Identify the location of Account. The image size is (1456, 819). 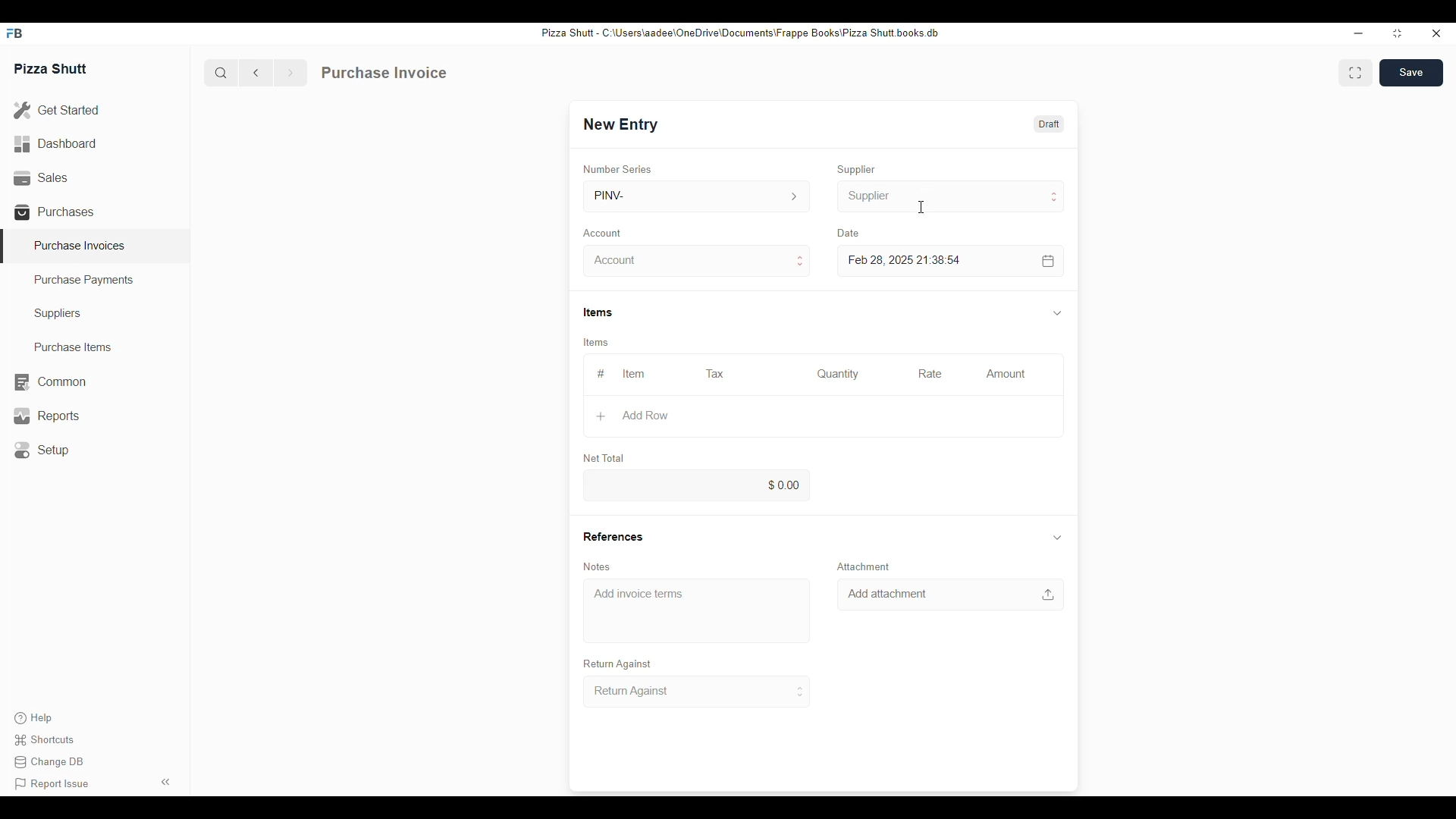
(699, 261).